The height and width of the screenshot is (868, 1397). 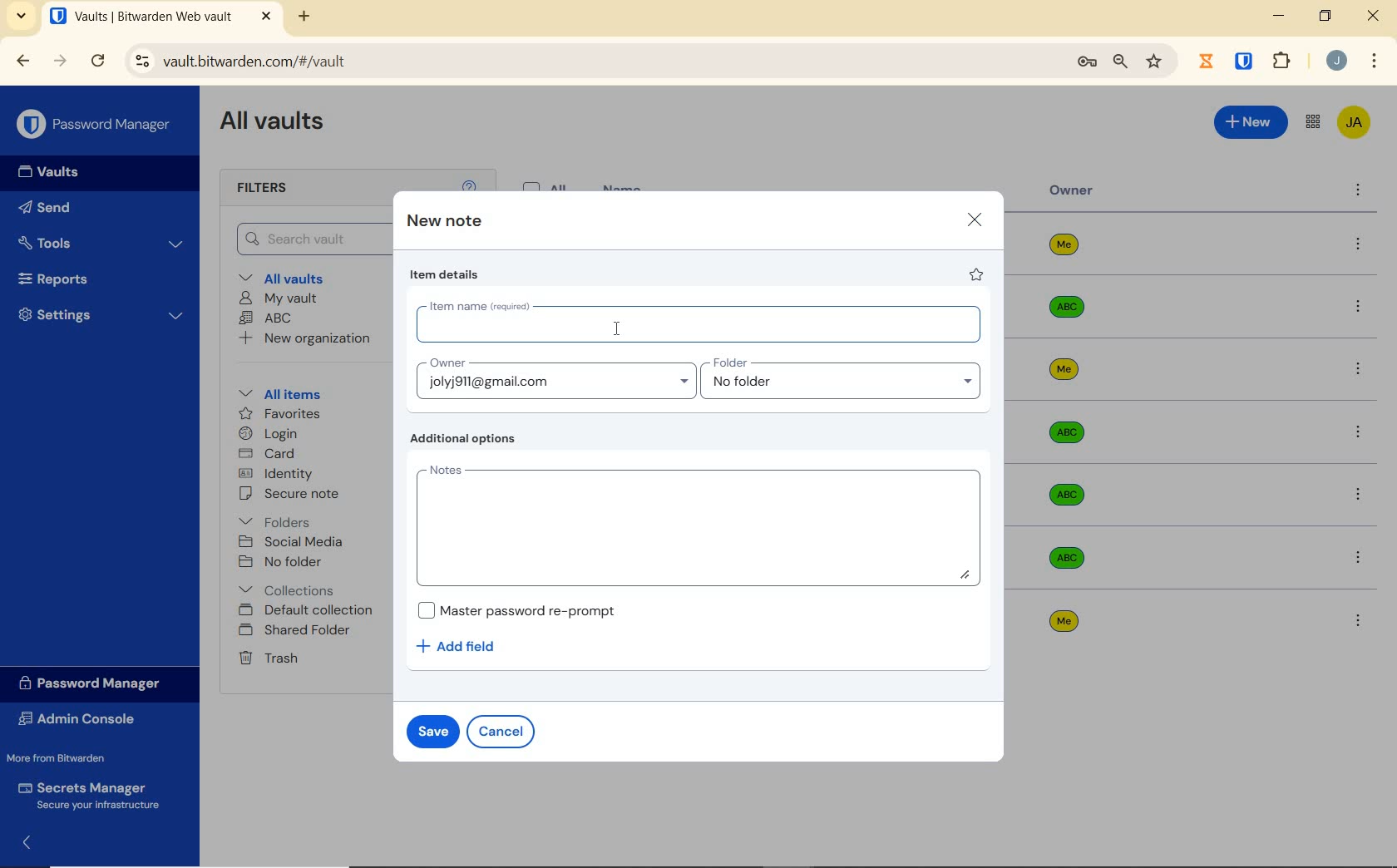 What do you see at coordinates (433, 730) in the screenshot?
I see `save` at bounding box center [433, 730].